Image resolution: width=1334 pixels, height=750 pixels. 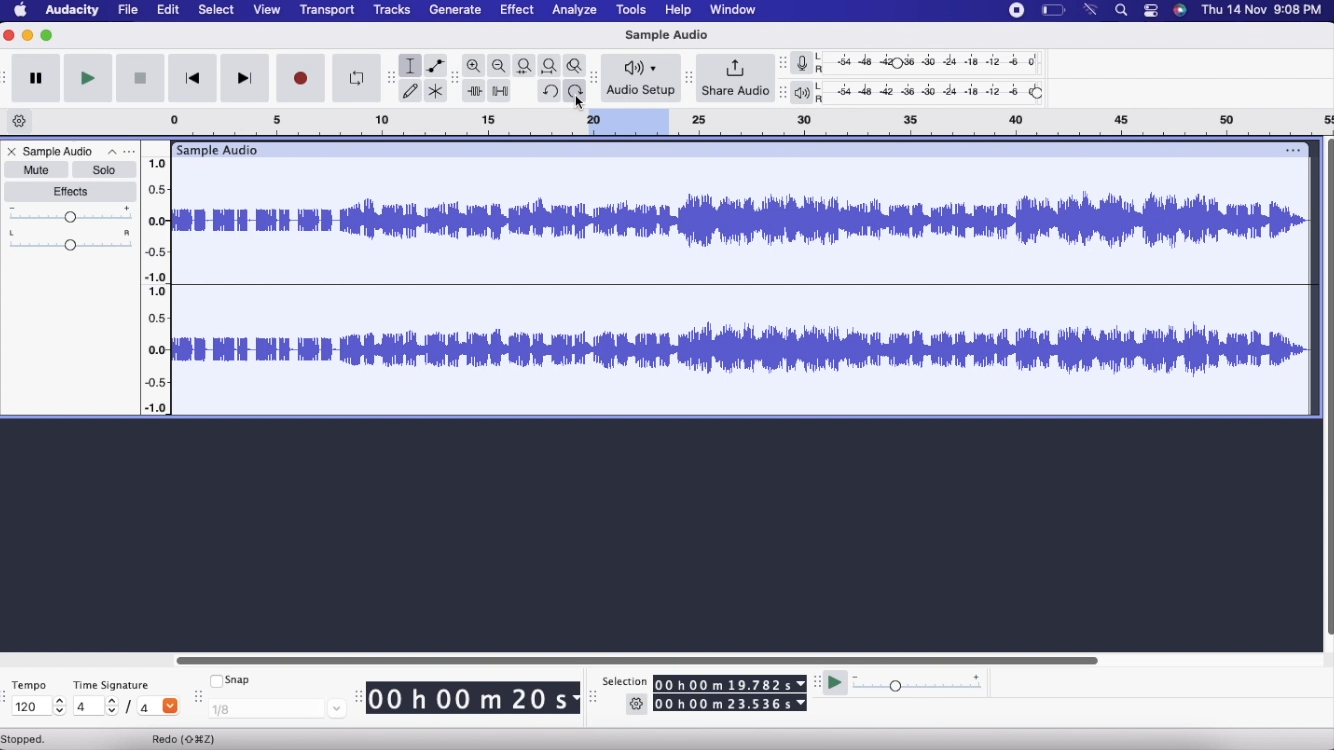 What do you see at coordinates (98, 707) in the screenshot?
I see `4` at bounding box center [98, 707].